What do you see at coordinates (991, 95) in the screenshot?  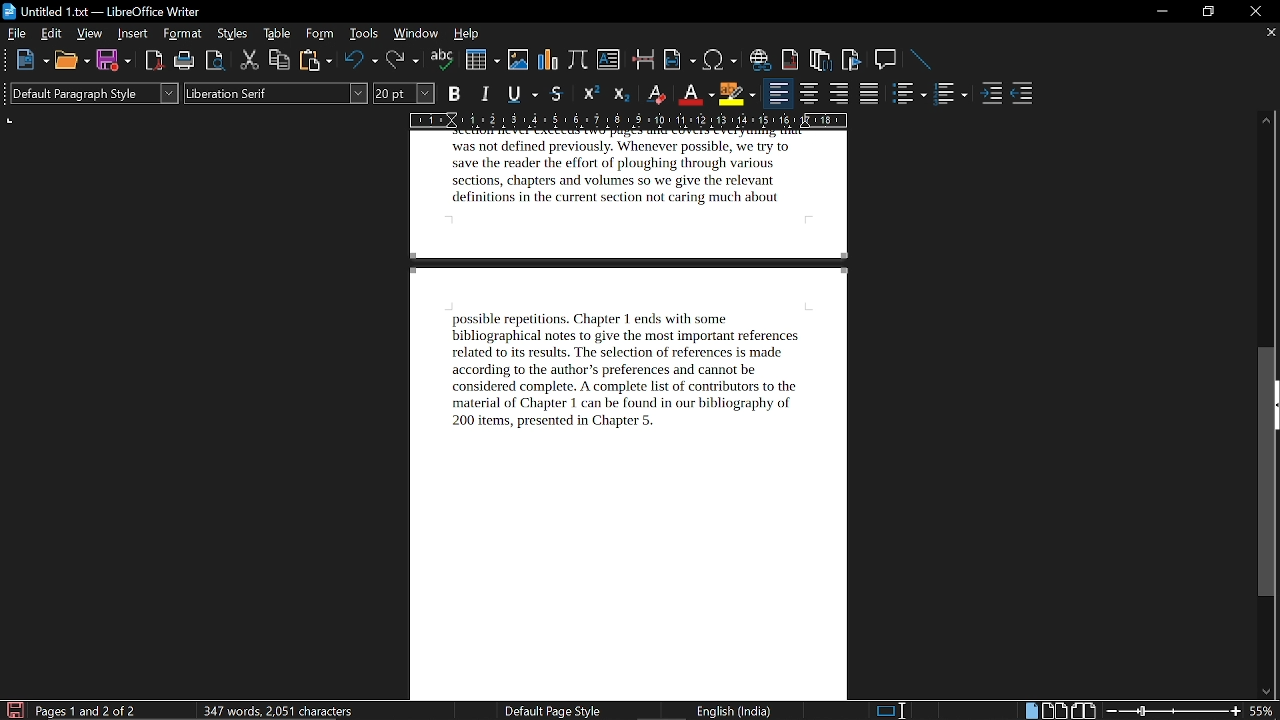 I see `increase indent` at bounding box center [991, 95].